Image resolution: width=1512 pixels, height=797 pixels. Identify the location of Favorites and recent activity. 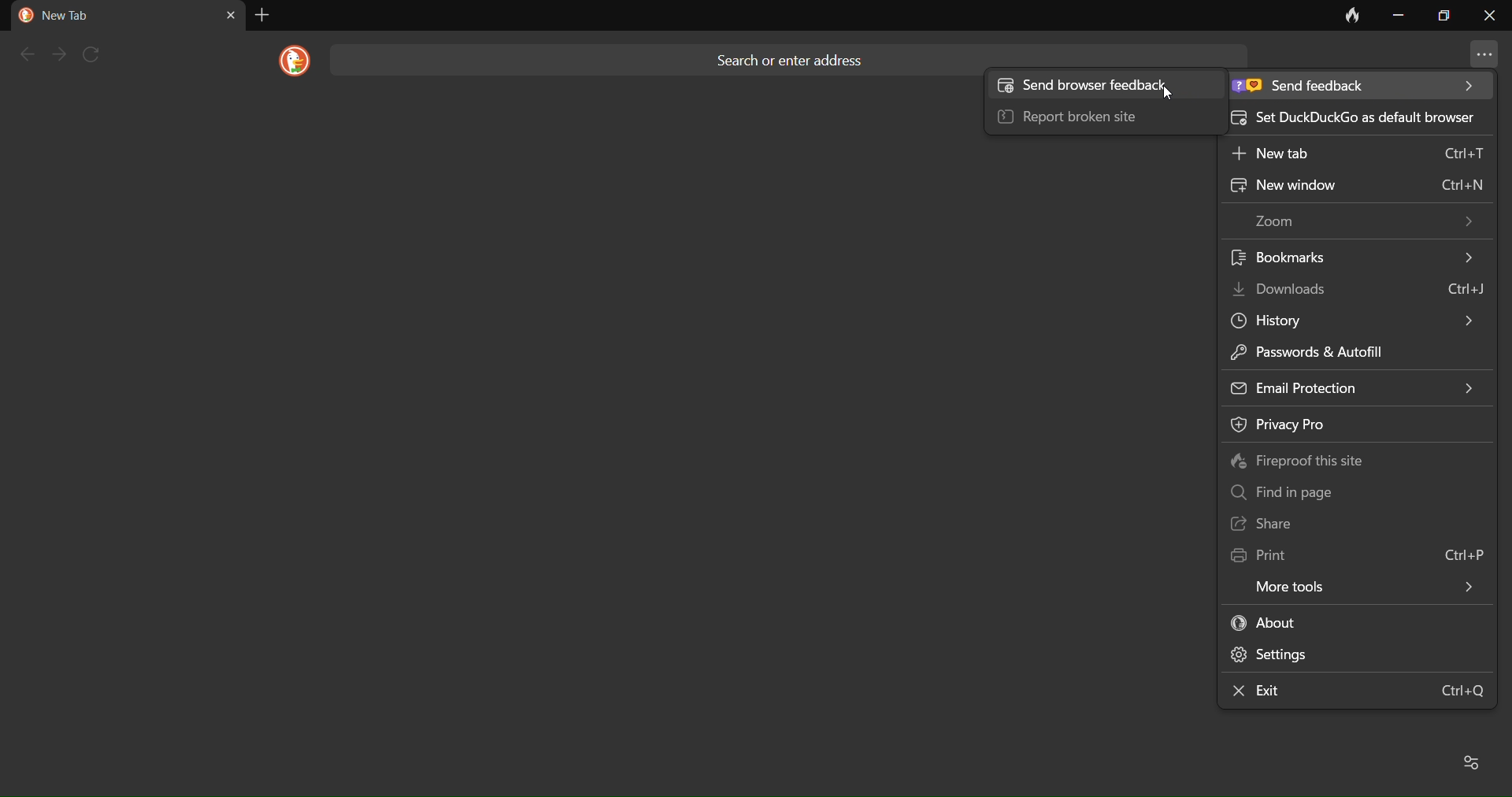
(1474, 761).